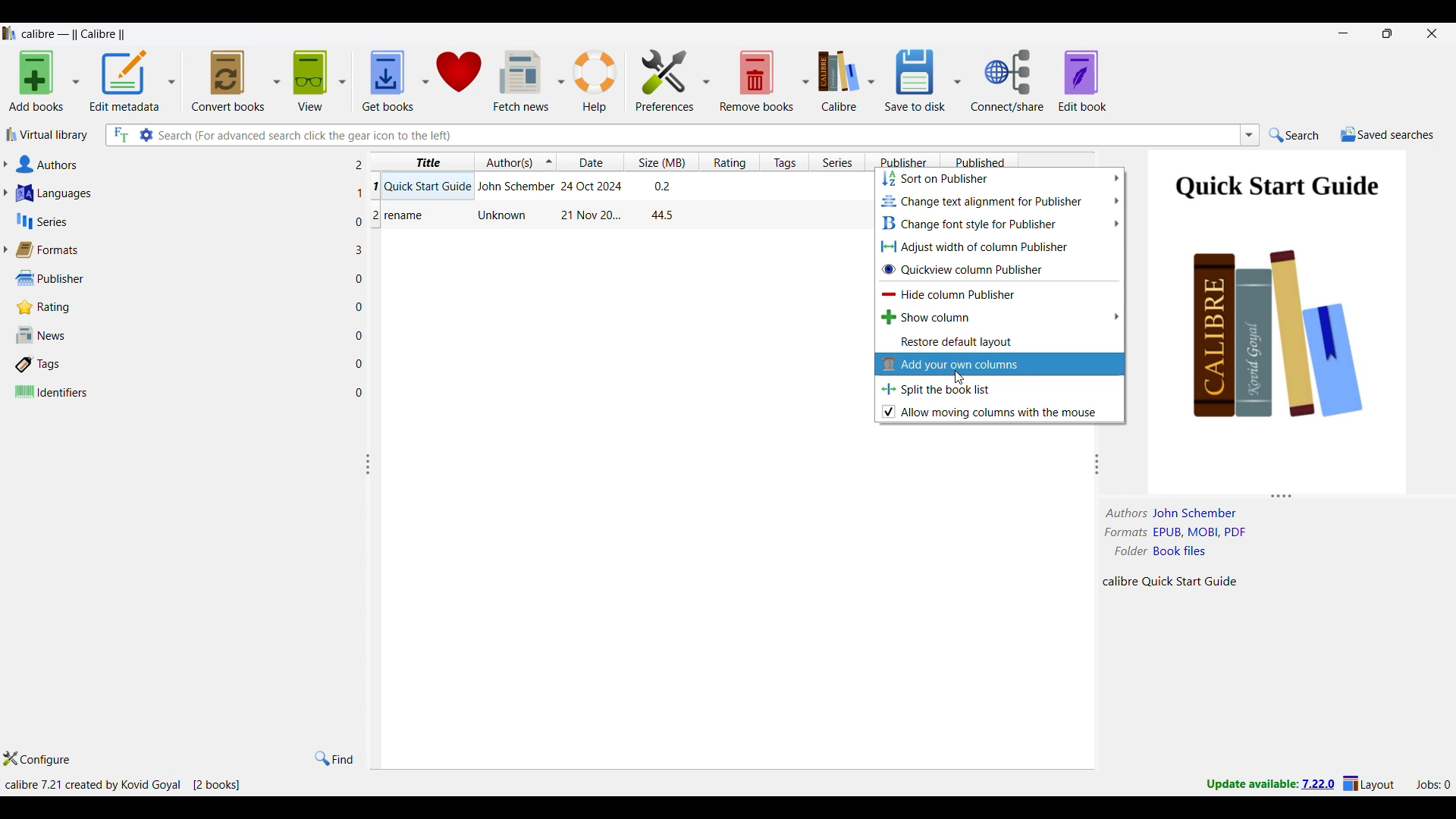 This screenshot has width=1456, height=819. Describe the element at coordinates (999, 364) in the screenshot. I see `Add your own columns, highlighted by cursor` at that location.